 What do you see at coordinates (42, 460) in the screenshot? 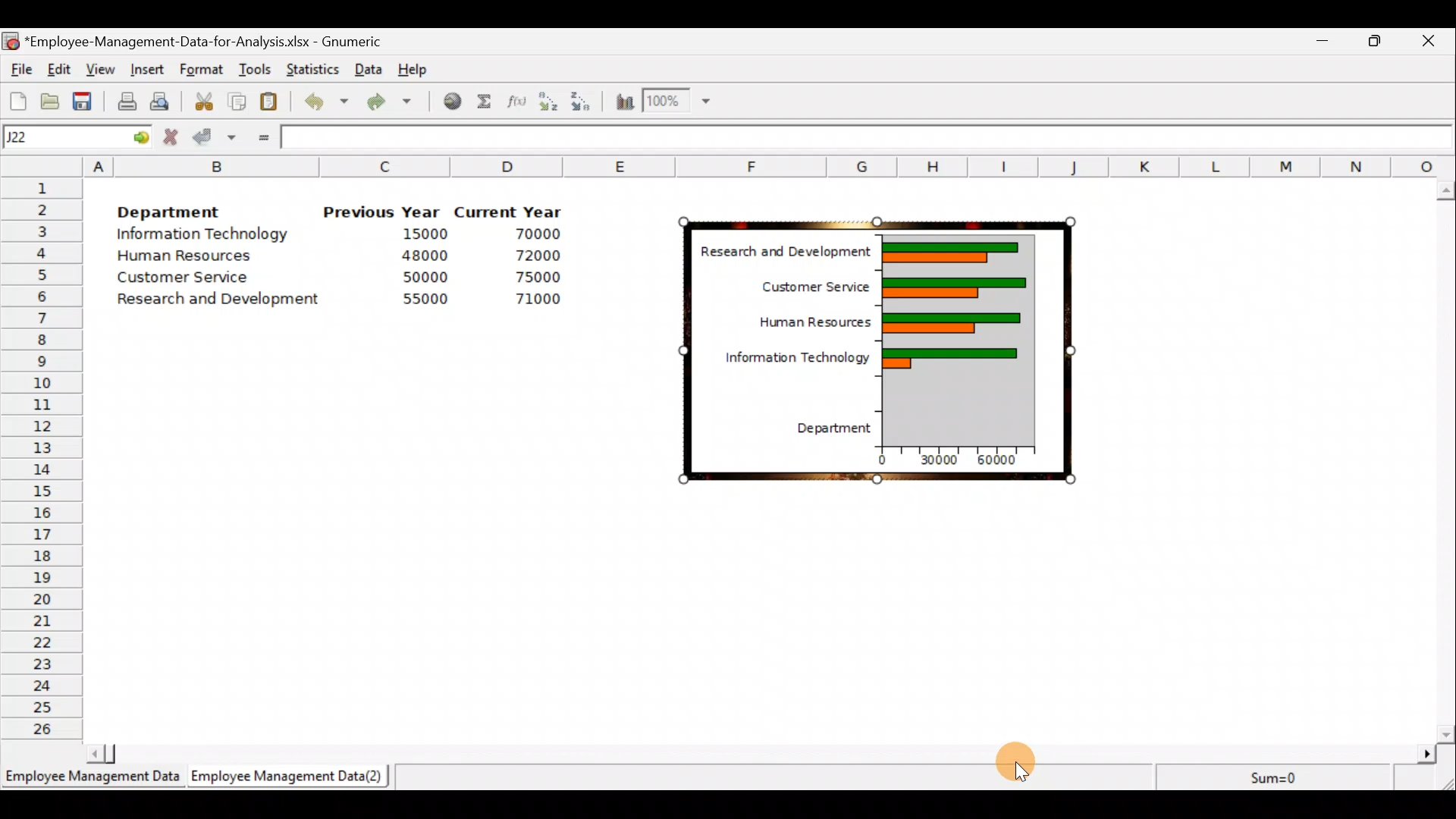
I see `Rows` at bounding box center [42, 460].